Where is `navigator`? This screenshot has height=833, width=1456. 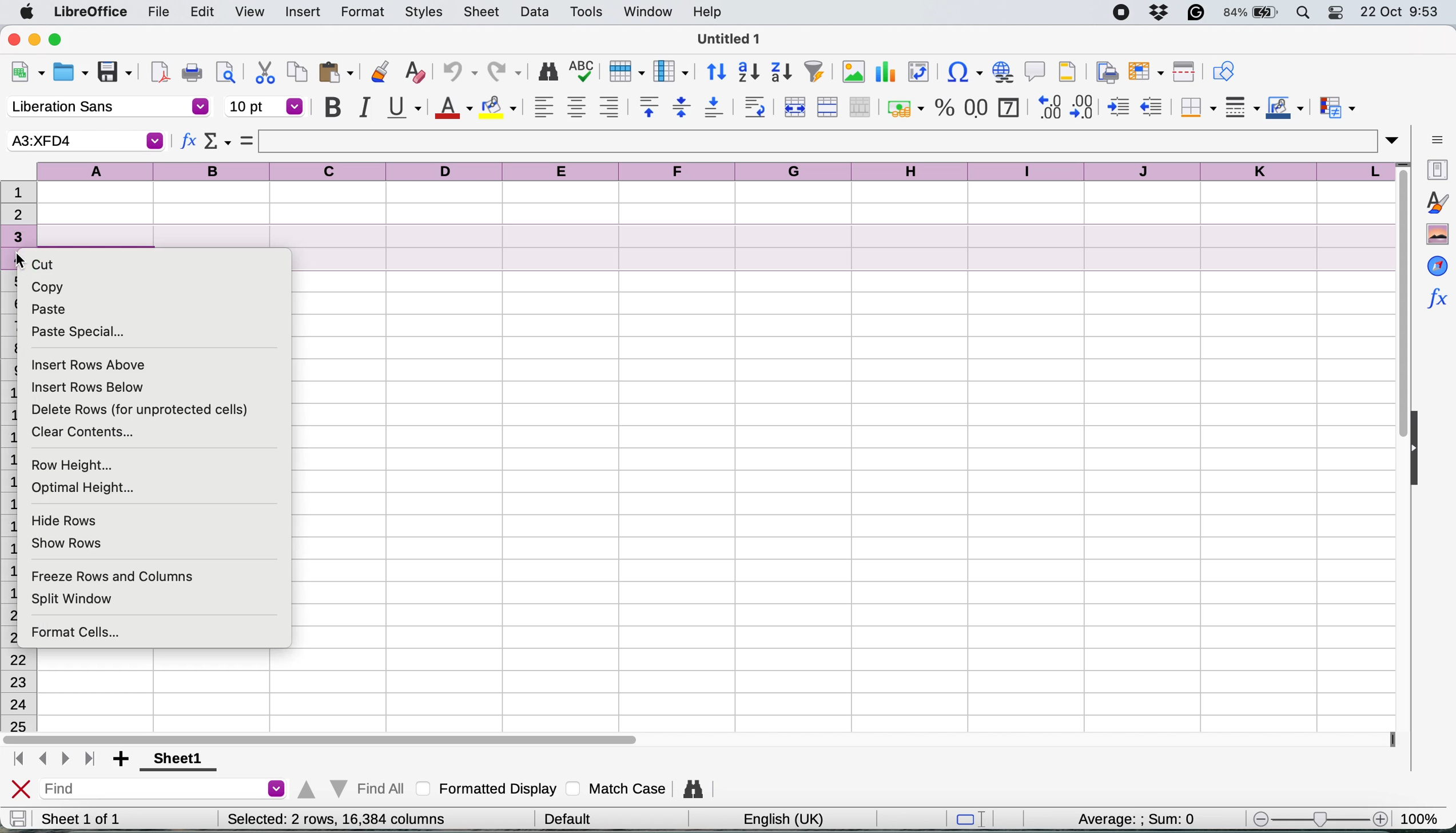 navigator is located at coordinates (1437, 265).